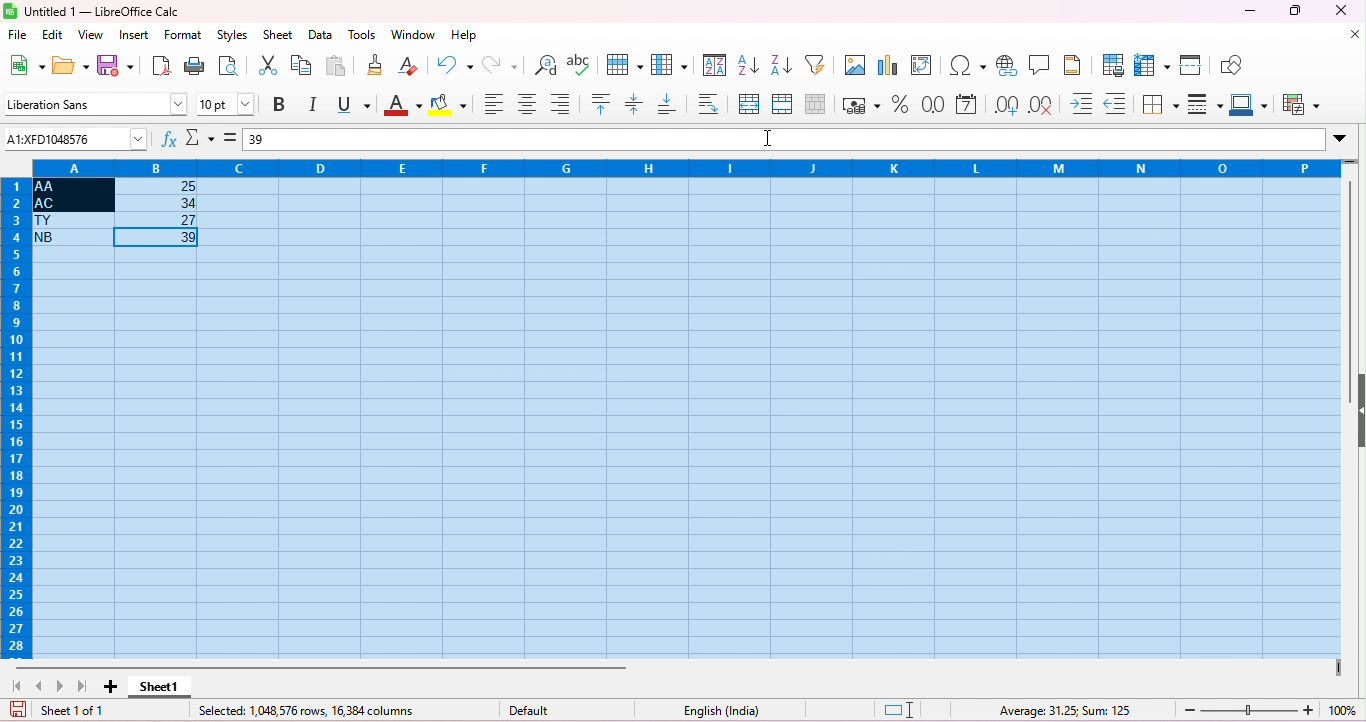 The width and height of the screenshot is (1366, 722). Describe the element at coordinates (900, 103) in the screenshot. I see `format as percent` at that location.